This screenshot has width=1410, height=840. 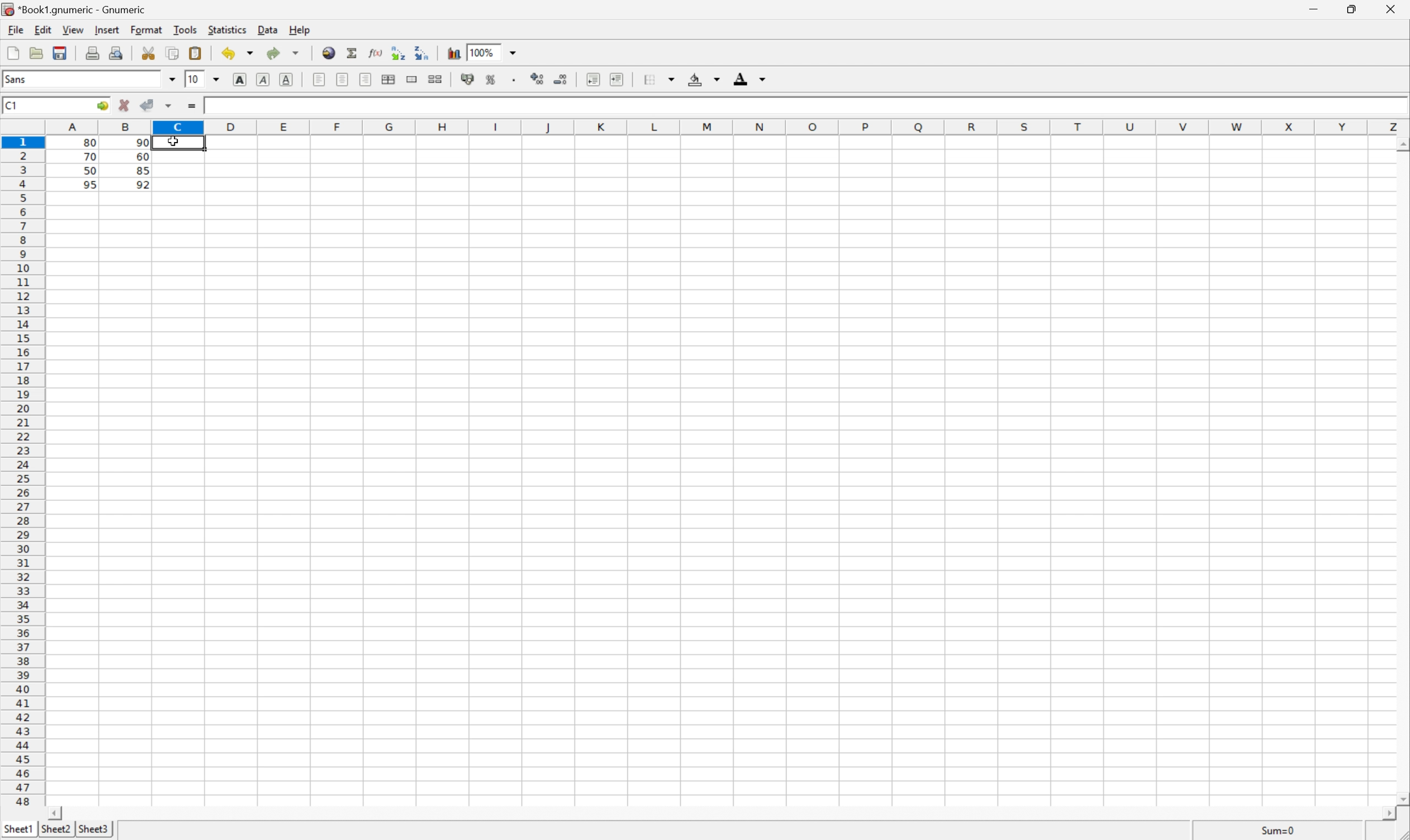 What do you see at coordinates (437, 79) in the screenshot?
I see `Split merged ranges of cells` at bounding box center [437, 79].